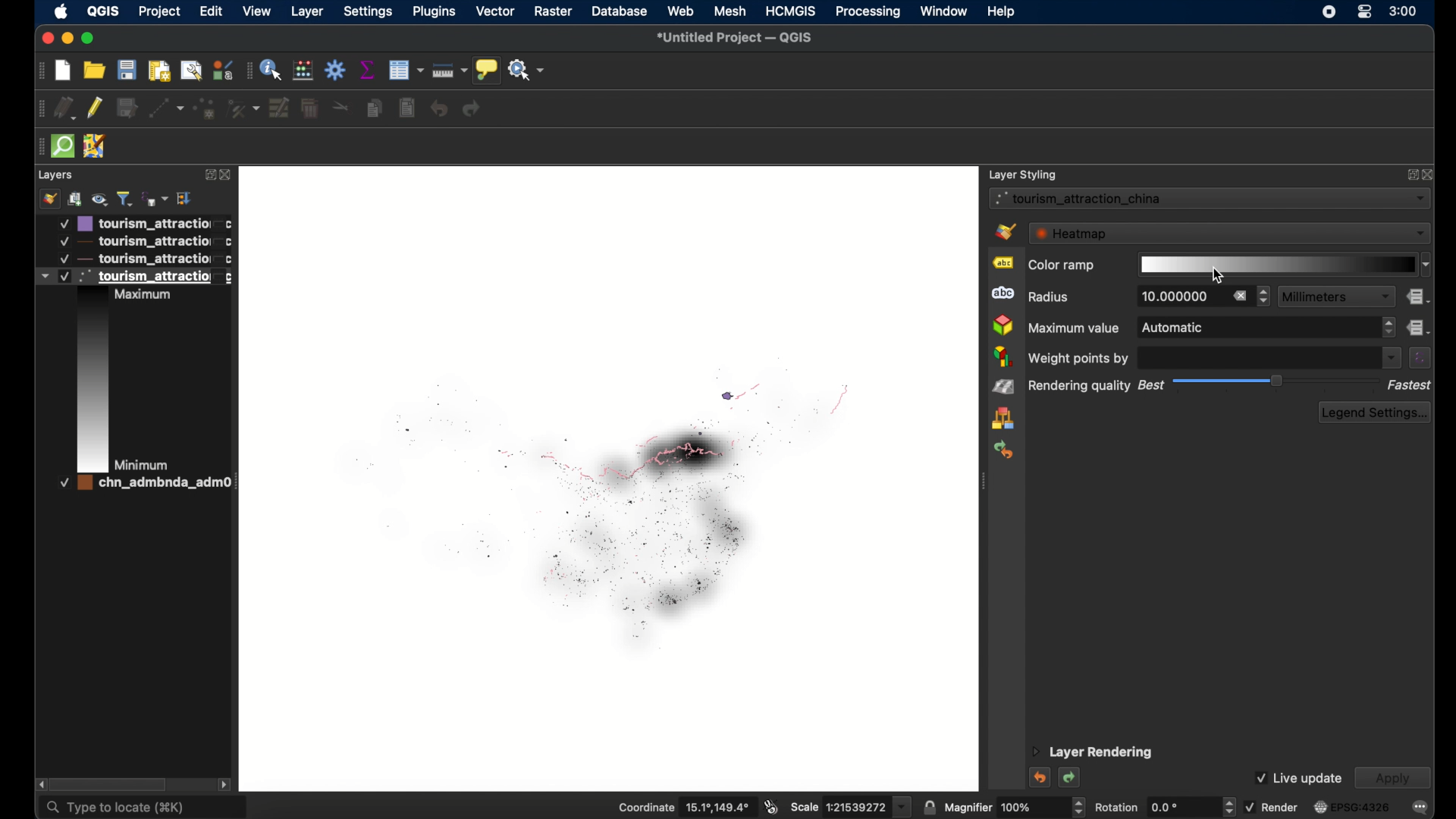 The height and width of the screenshot is (819, 1456). I want to click on drag. handle, so click(246, 71).